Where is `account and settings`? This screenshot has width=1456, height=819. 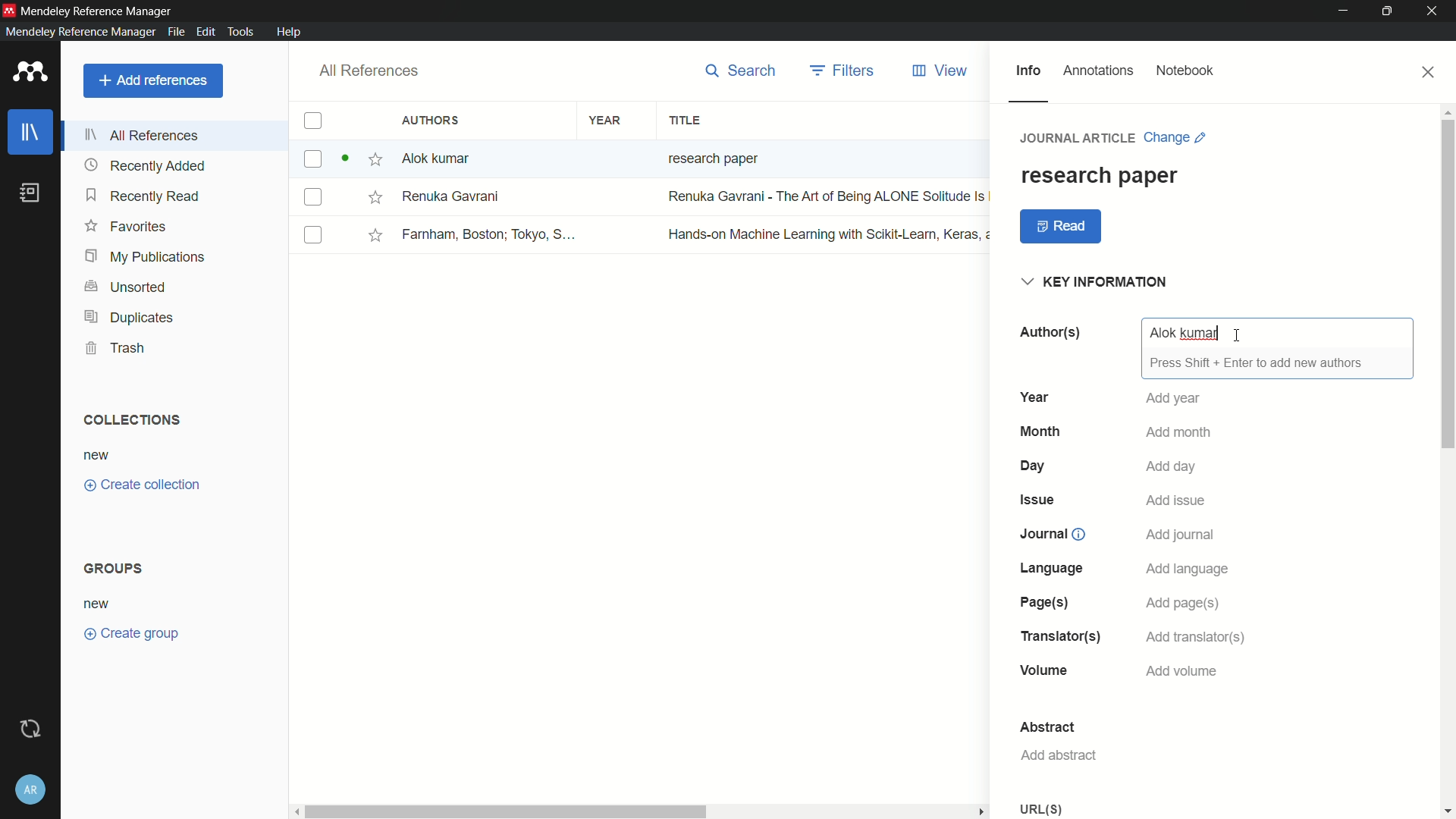
account and settings is located at coordinates (30, 790).